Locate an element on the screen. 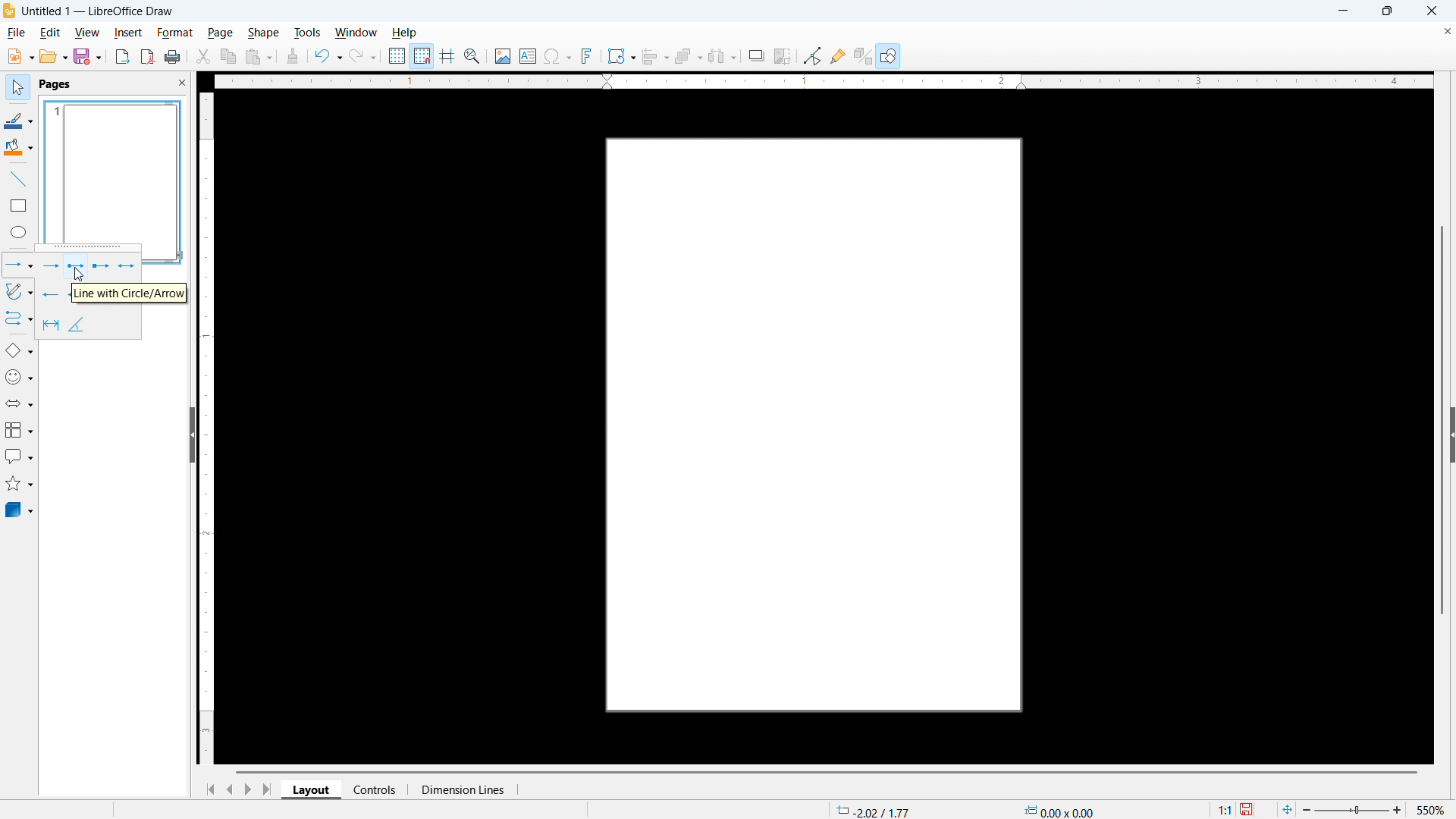 The height and width of the screenshot is (819, 1456). Select at least three objects to distribute is located at coordinates (723, 56).